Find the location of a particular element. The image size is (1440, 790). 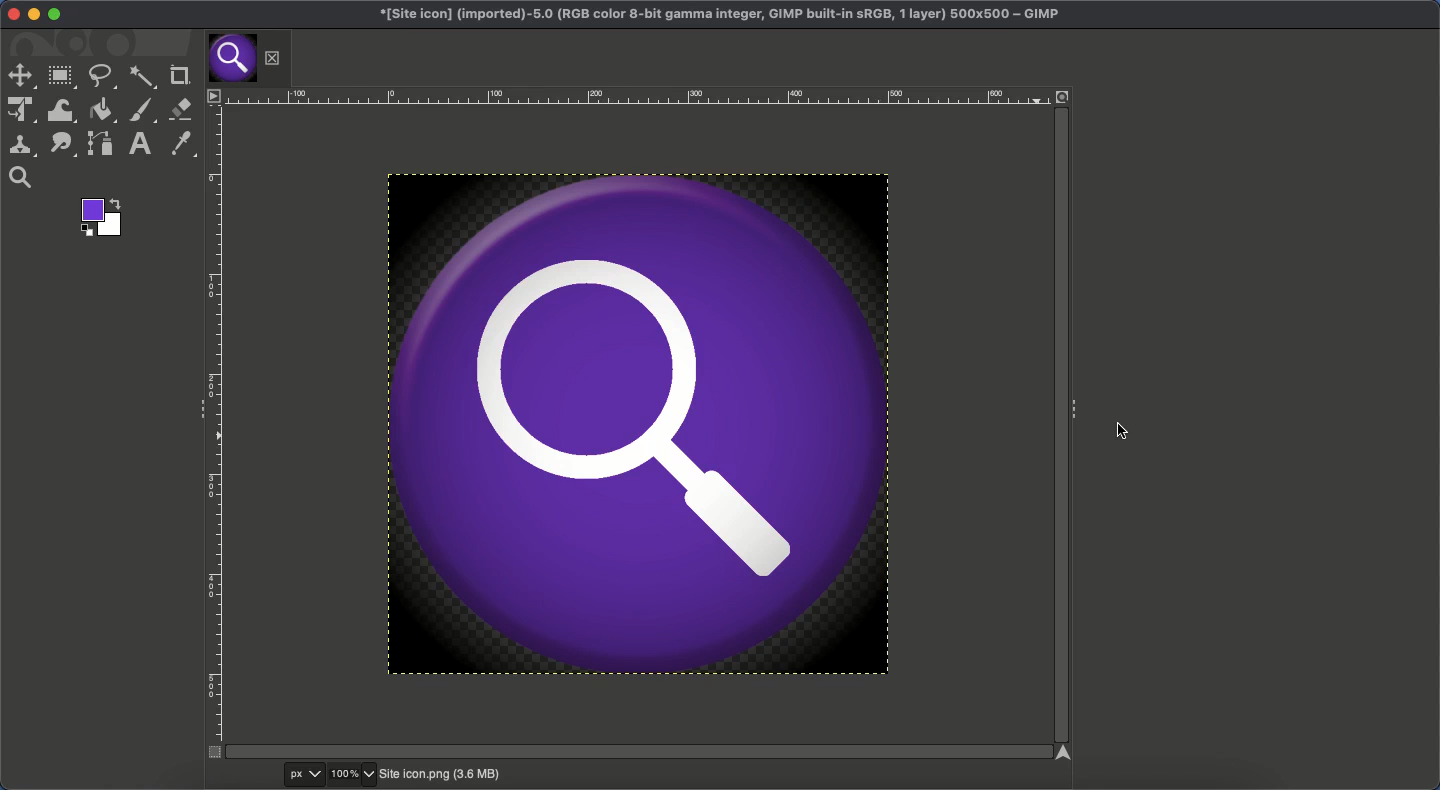

Move tool is located at coordinates (20, 76).